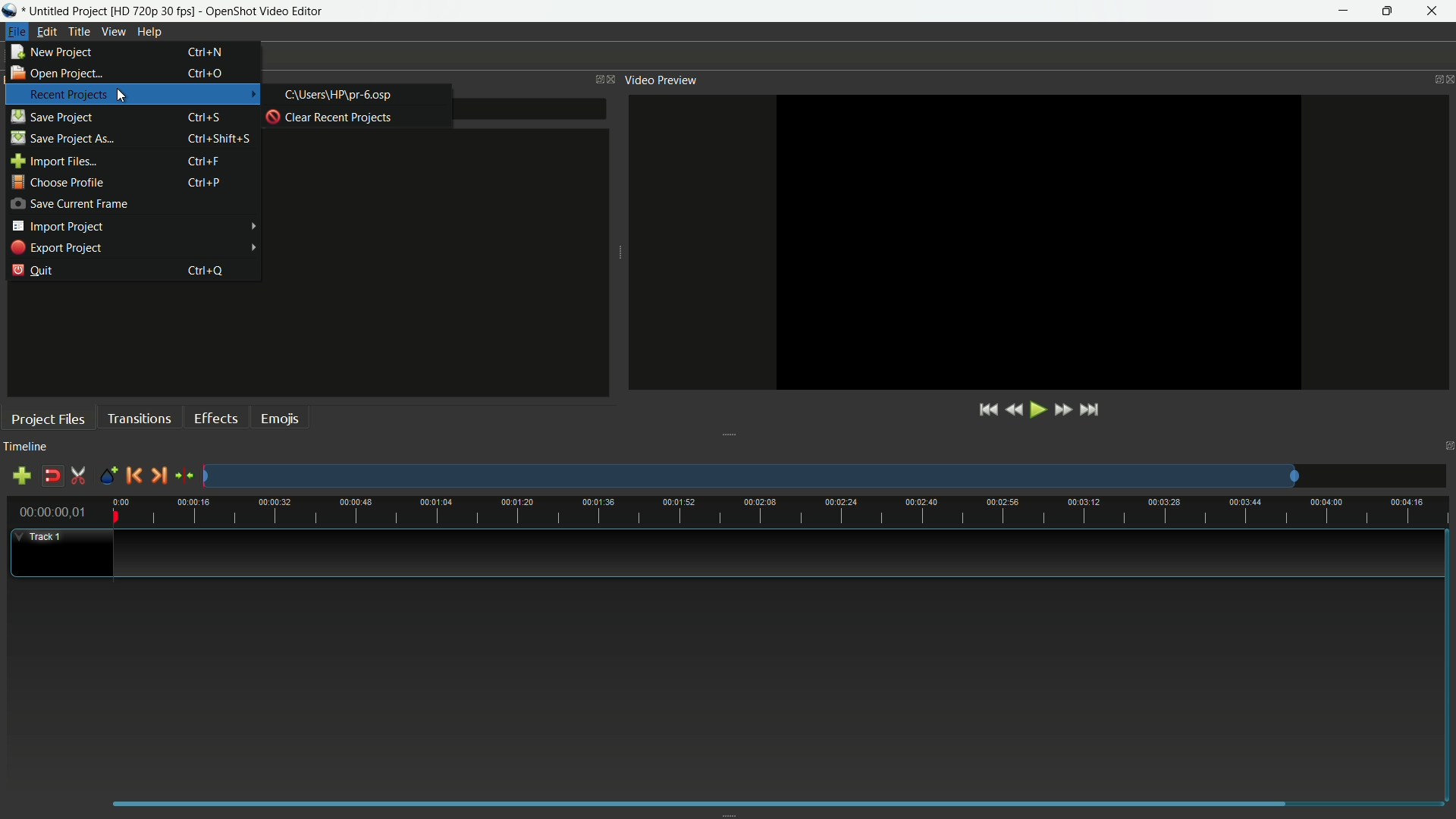 The image size is (1456, 819). Describe the element at coordinates (1447, 80) in the screenshot. I see `close video preview` at that location.